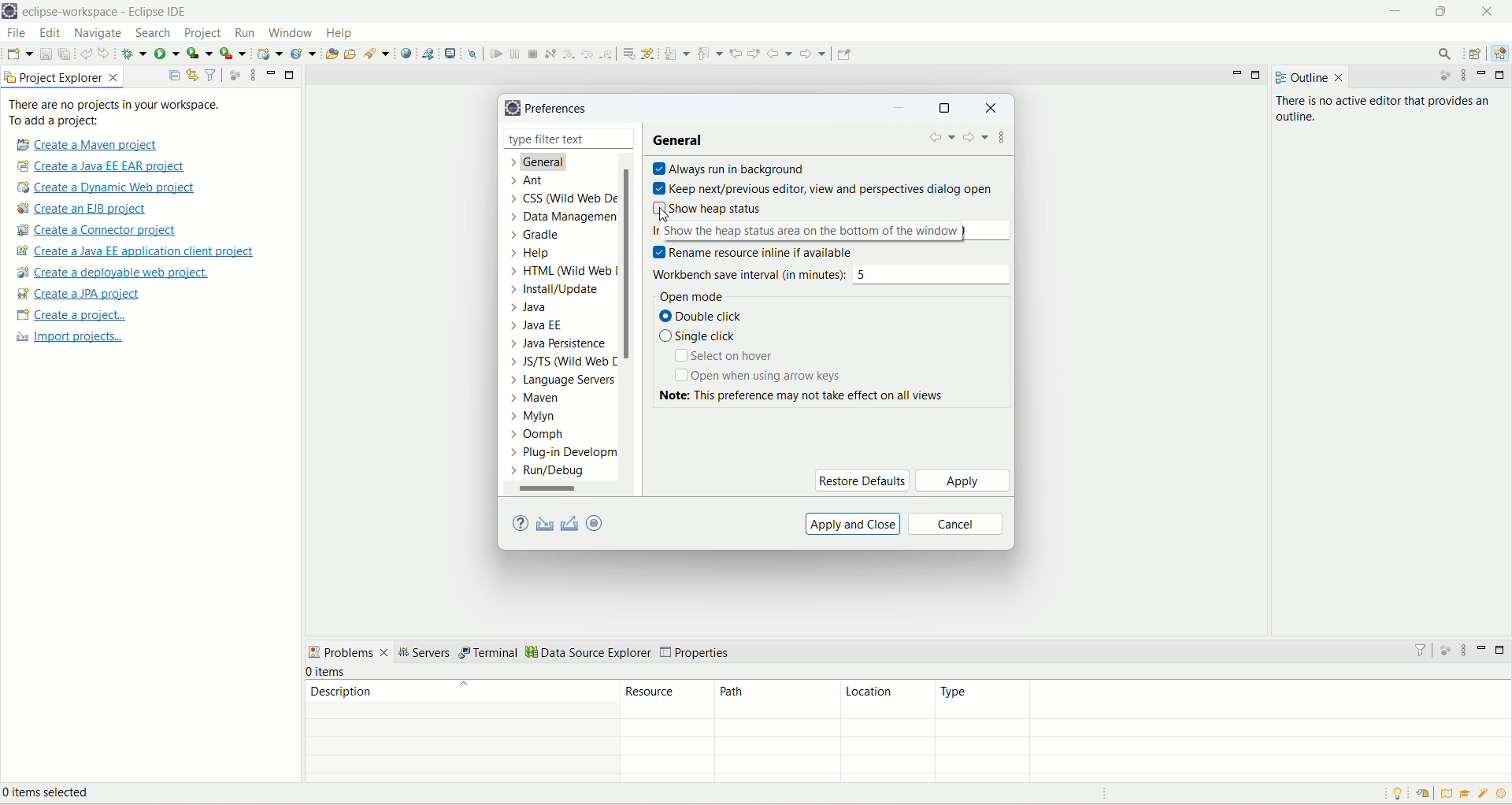 The width and height of the screenshot is (1512, 805). I want to click on search, so click(378, 54).